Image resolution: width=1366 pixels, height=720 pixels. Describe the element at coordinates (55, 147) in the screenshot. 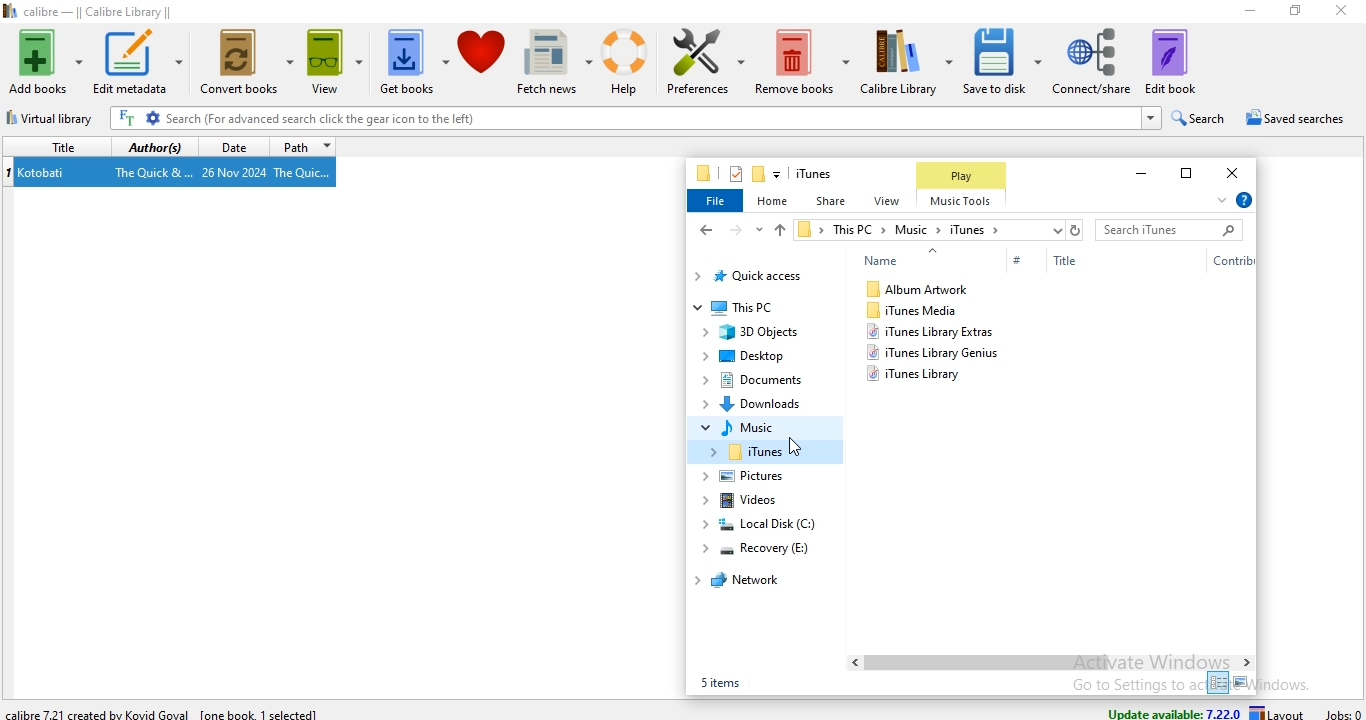

I see `title` at that location.